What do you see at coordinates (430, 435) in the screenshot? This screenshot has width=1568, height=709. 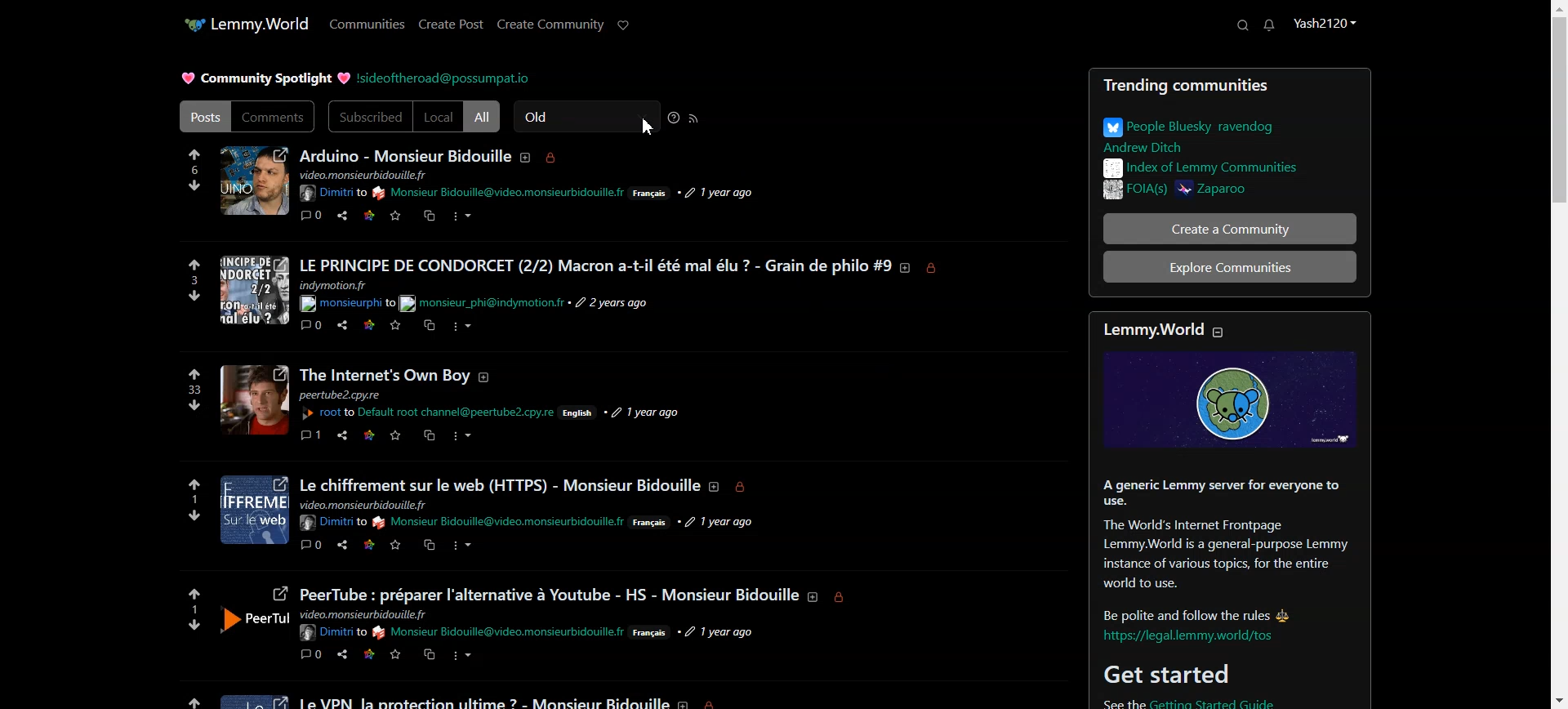 I see `copy` at bounding box center [430, 435].